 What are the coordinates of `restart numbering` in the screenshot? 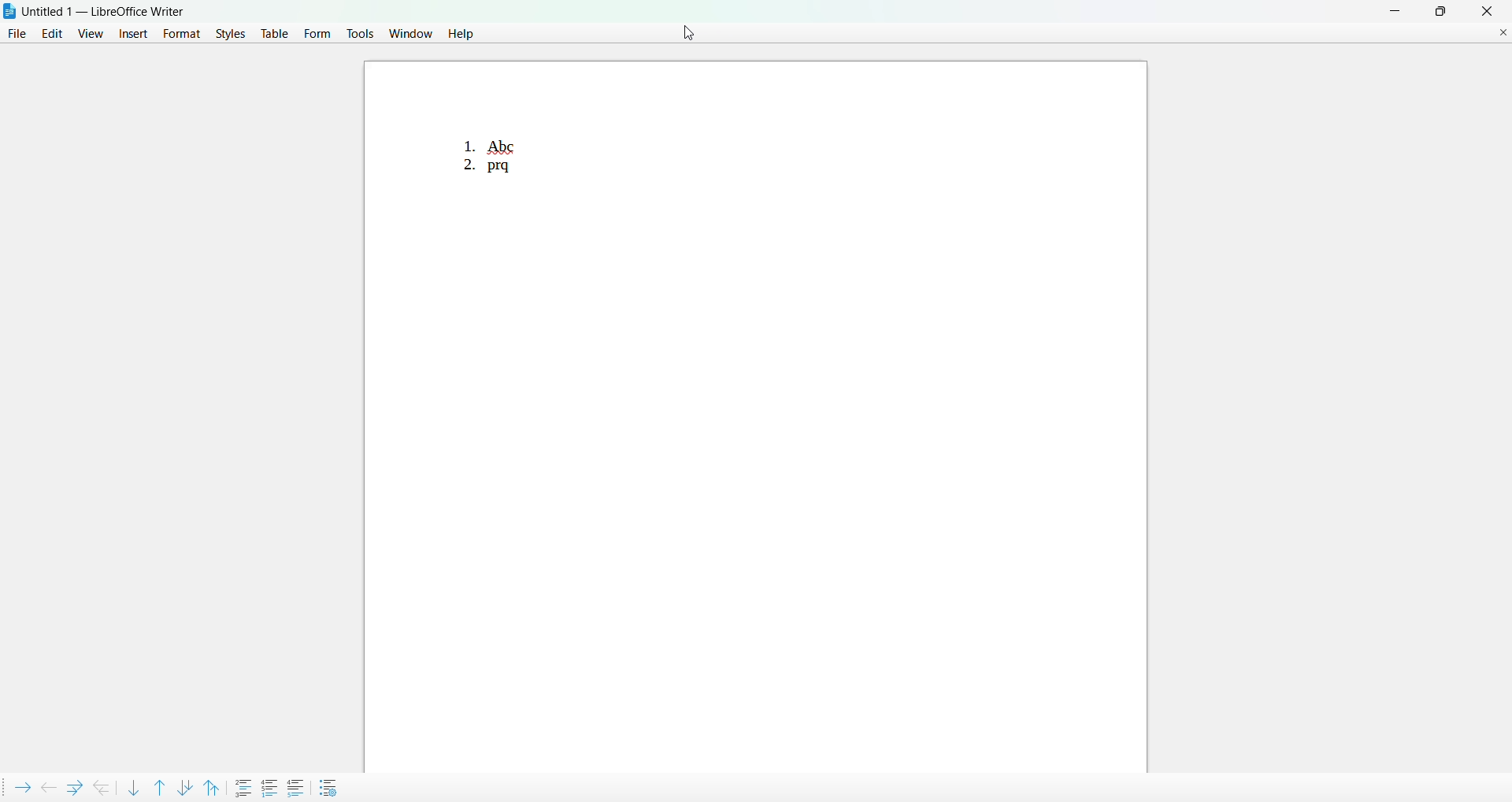 It's located at (271, 785).